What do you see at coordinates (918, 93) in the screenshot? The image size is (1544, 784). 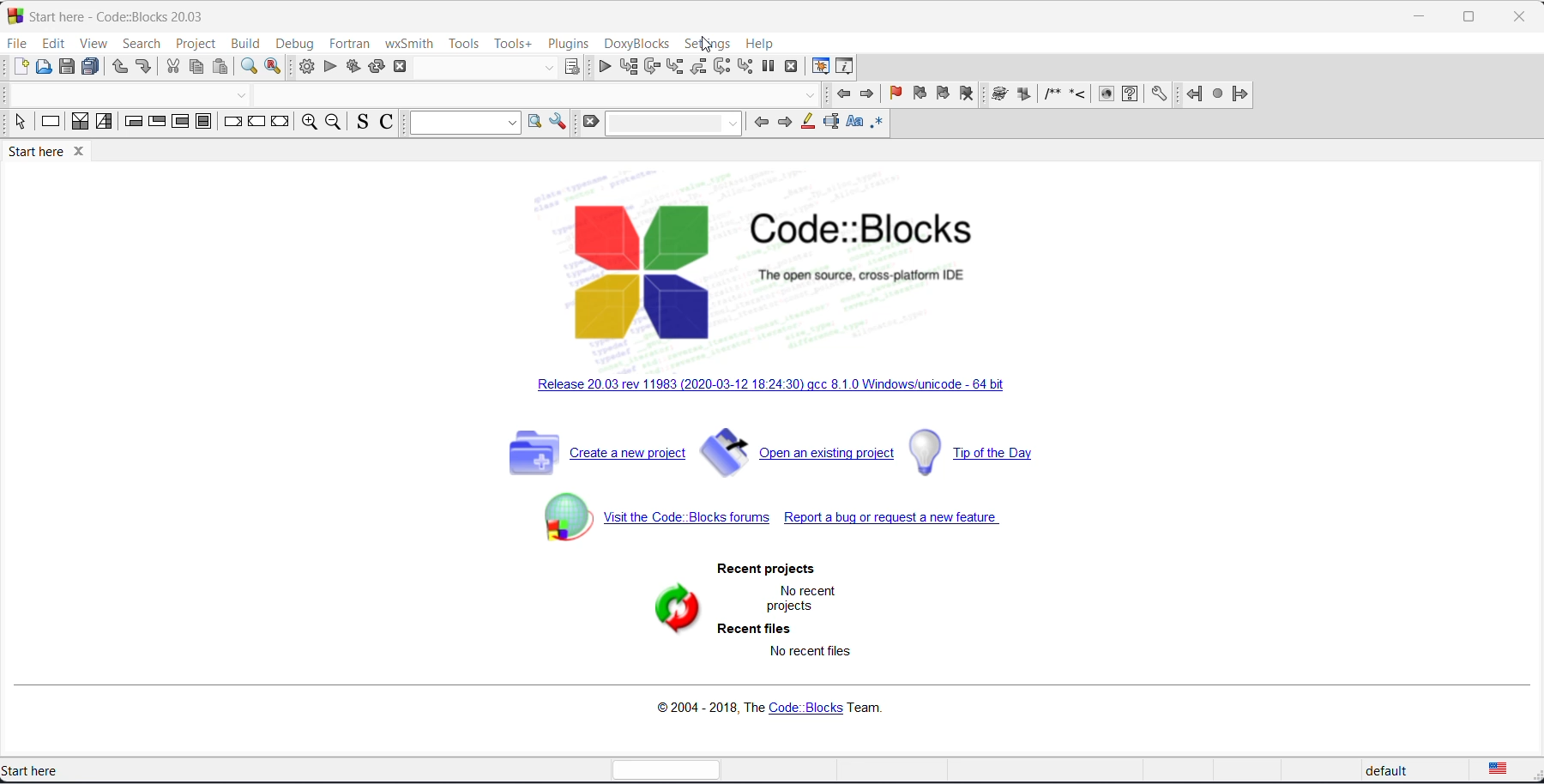 I see `prev bookmark` at bounding box center [918, 93].